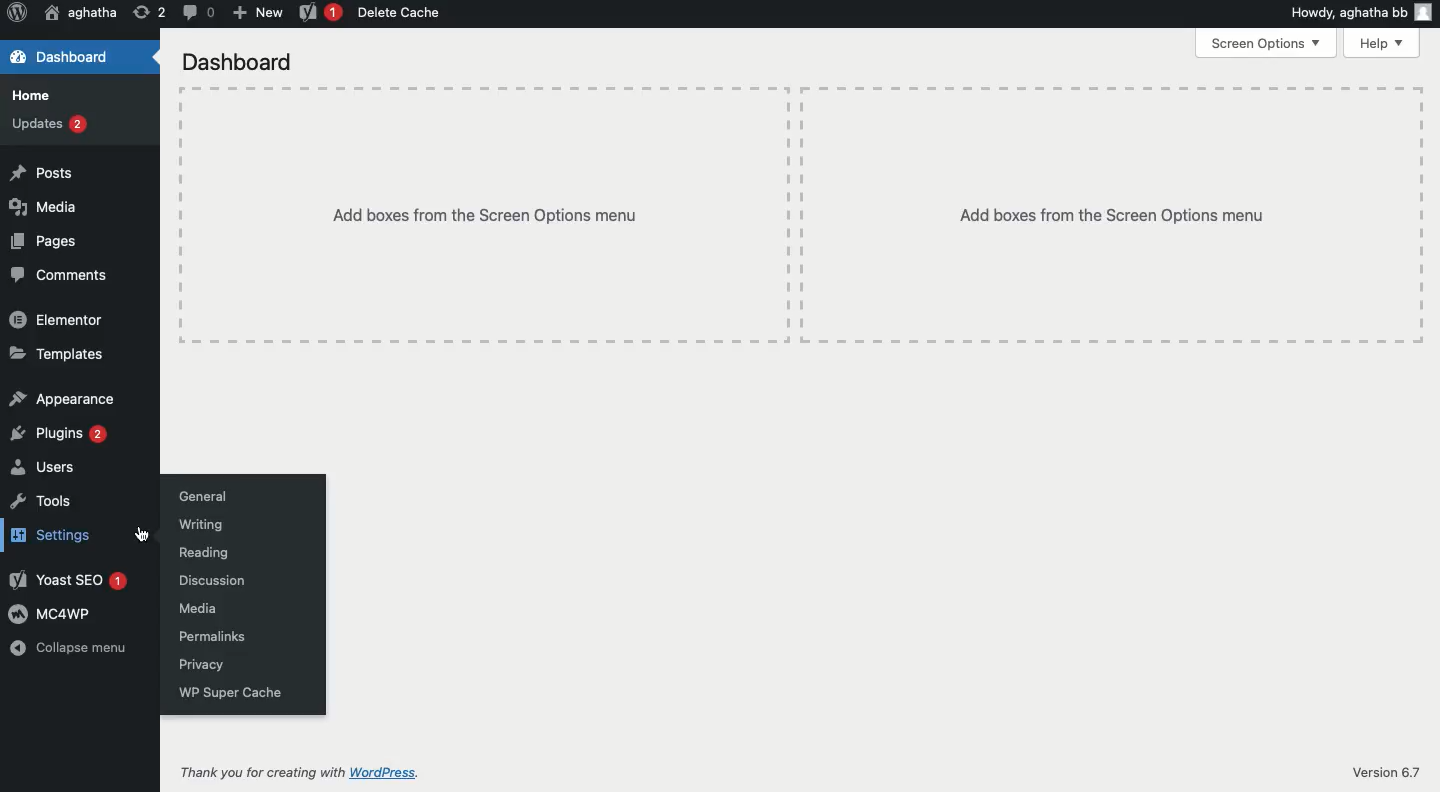  Describe the element at coordinates (31, 97) in the screenshot. I see `Home` at that location.